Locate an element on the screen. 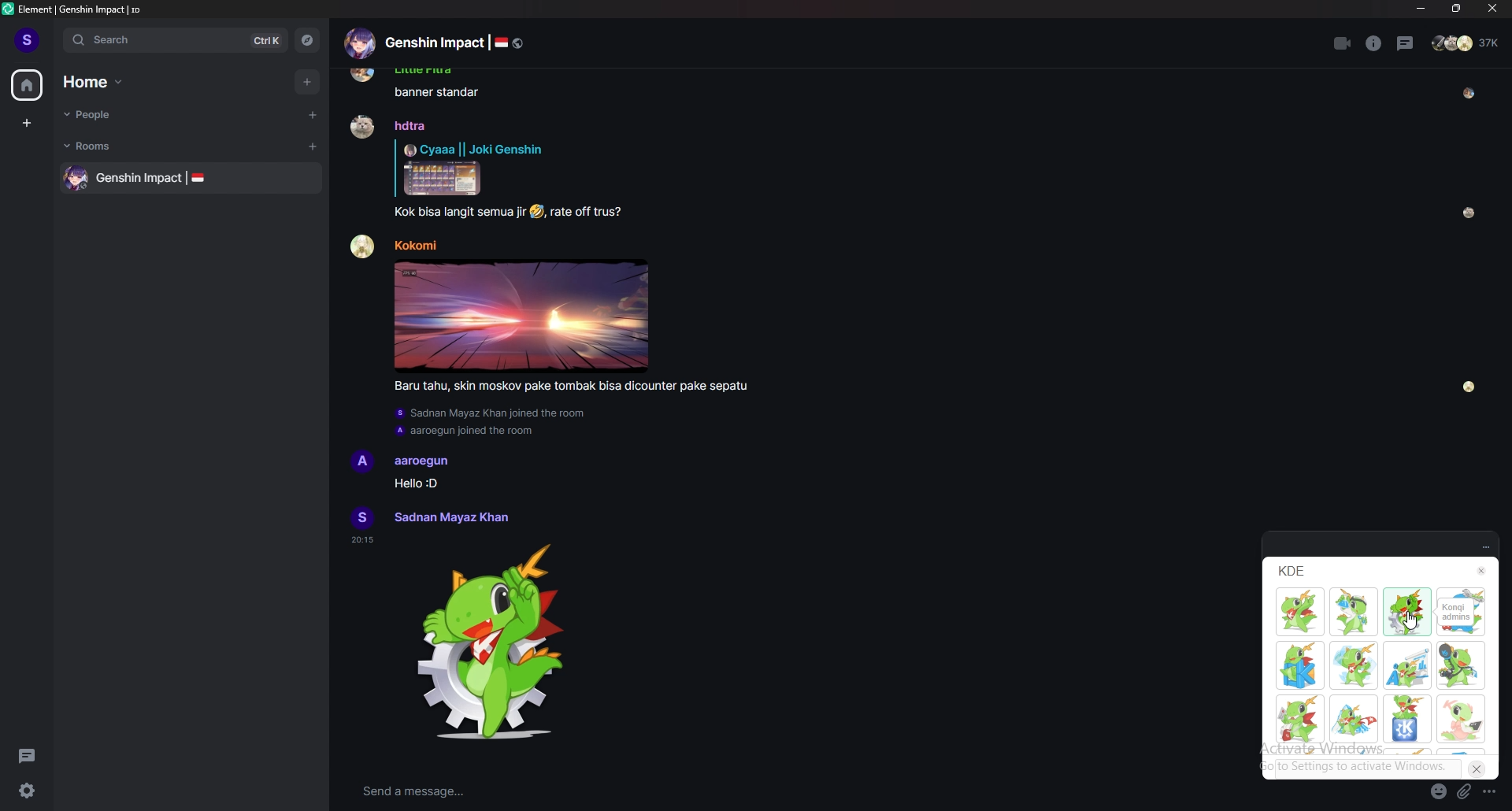 This screenshot has height=811, width=1512. people is located at coordinates (111, 114).